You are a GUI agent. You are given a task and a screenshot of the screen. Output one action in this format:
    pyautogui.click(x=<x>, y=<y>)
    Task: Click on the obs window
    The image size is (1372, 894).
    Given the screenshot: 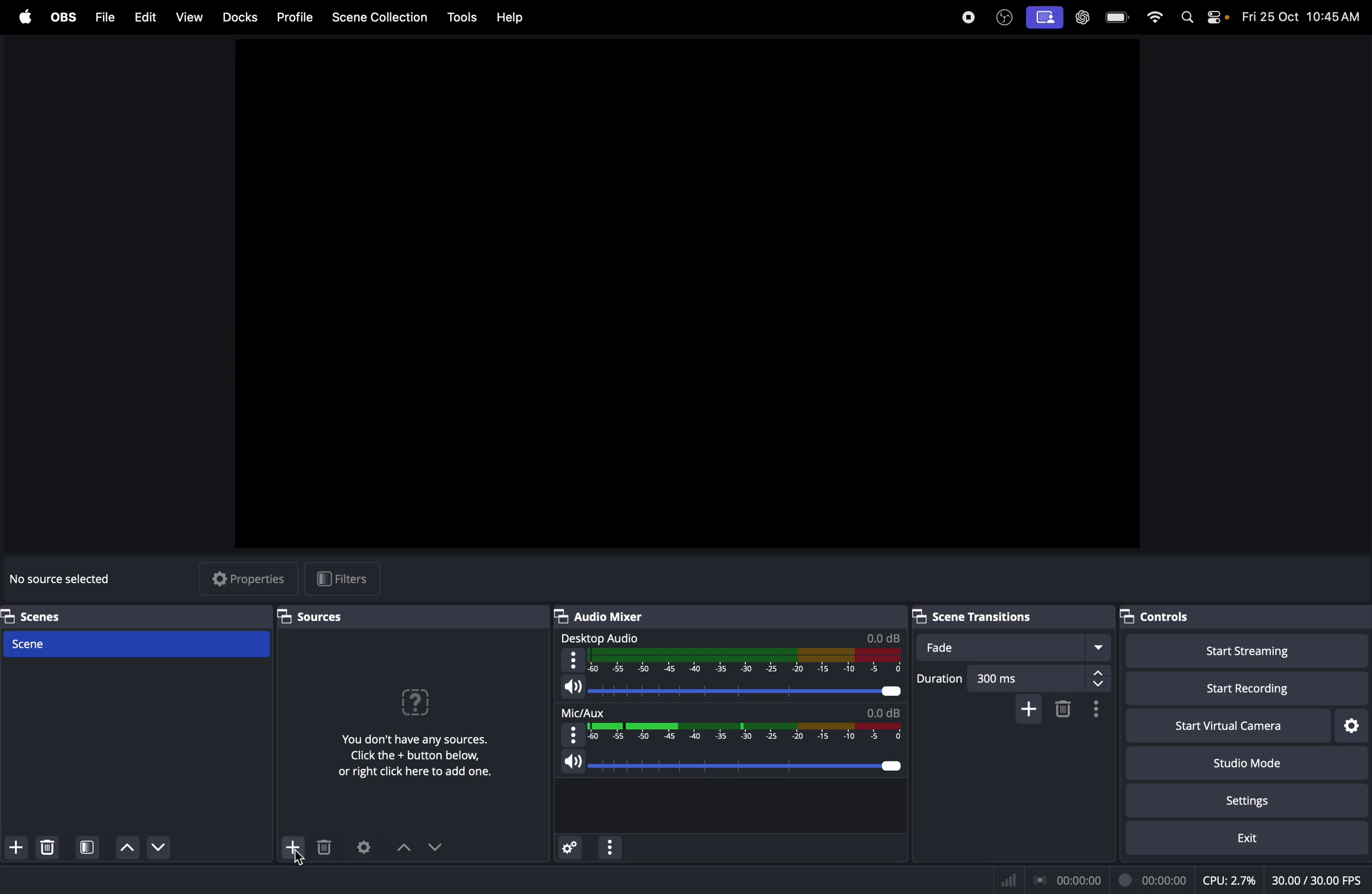 What is the action you would take?
    pyautogui.click(x=685, y=296)
    